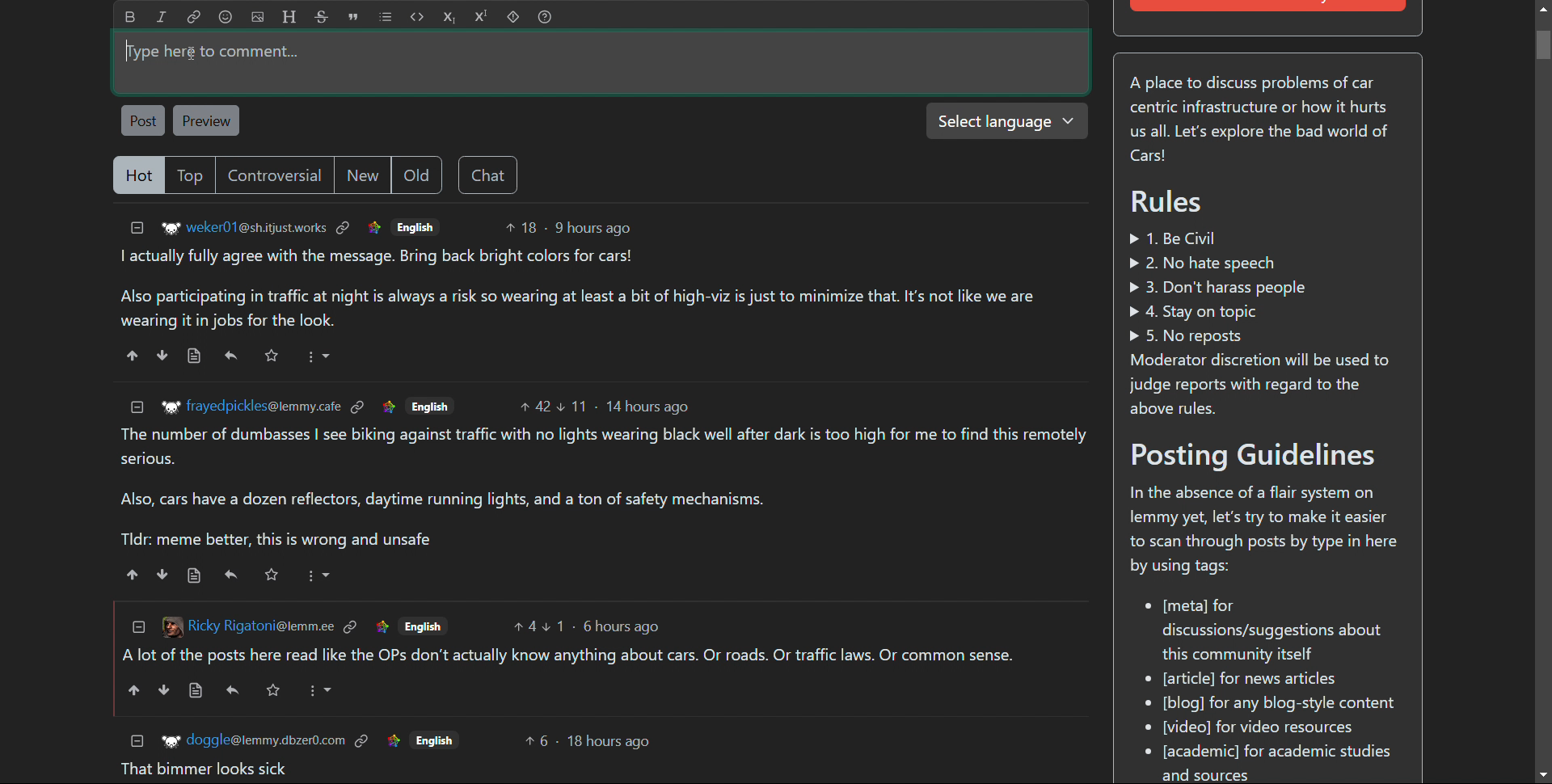 The image size is (1552, 784). Describe the element at coordinates (1541, 8) in the screenshot. I see `scroll up` at that location.